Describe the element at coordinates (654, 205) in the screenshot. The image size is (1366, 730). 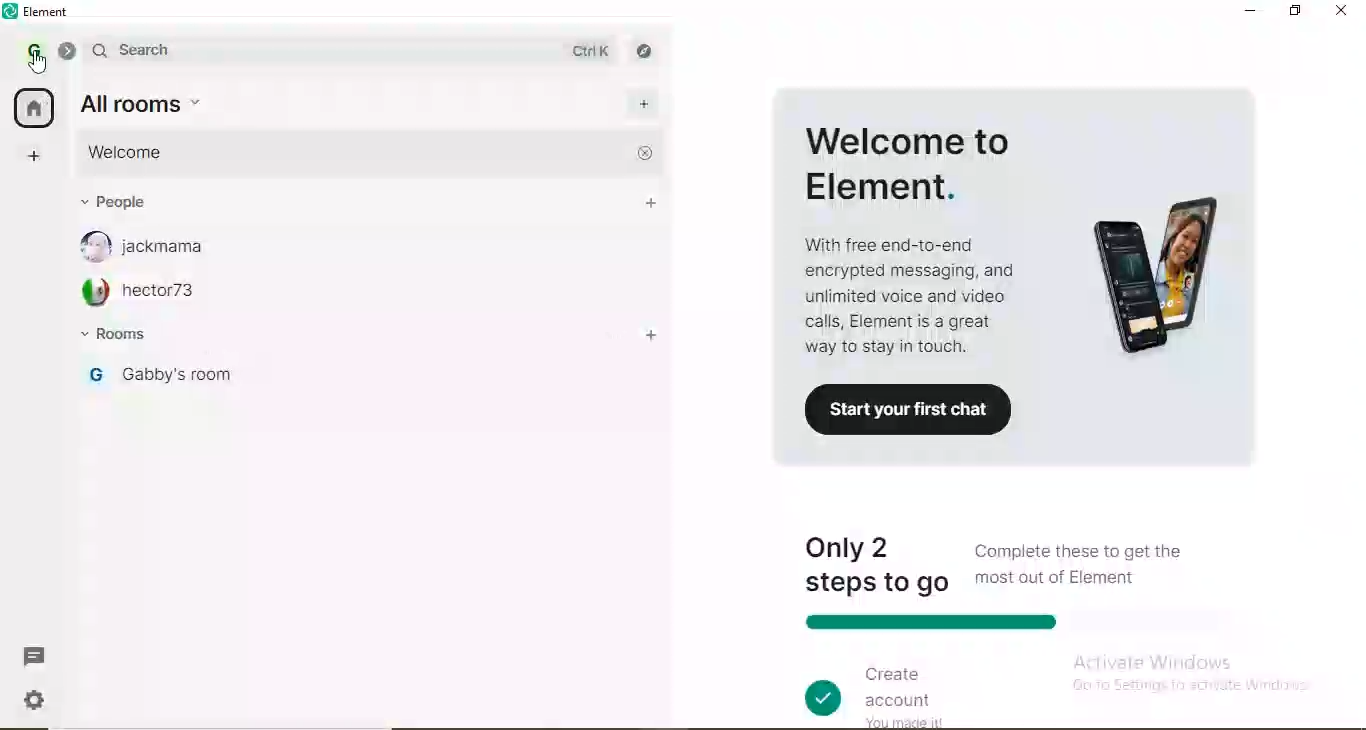
I see `people` at that location.